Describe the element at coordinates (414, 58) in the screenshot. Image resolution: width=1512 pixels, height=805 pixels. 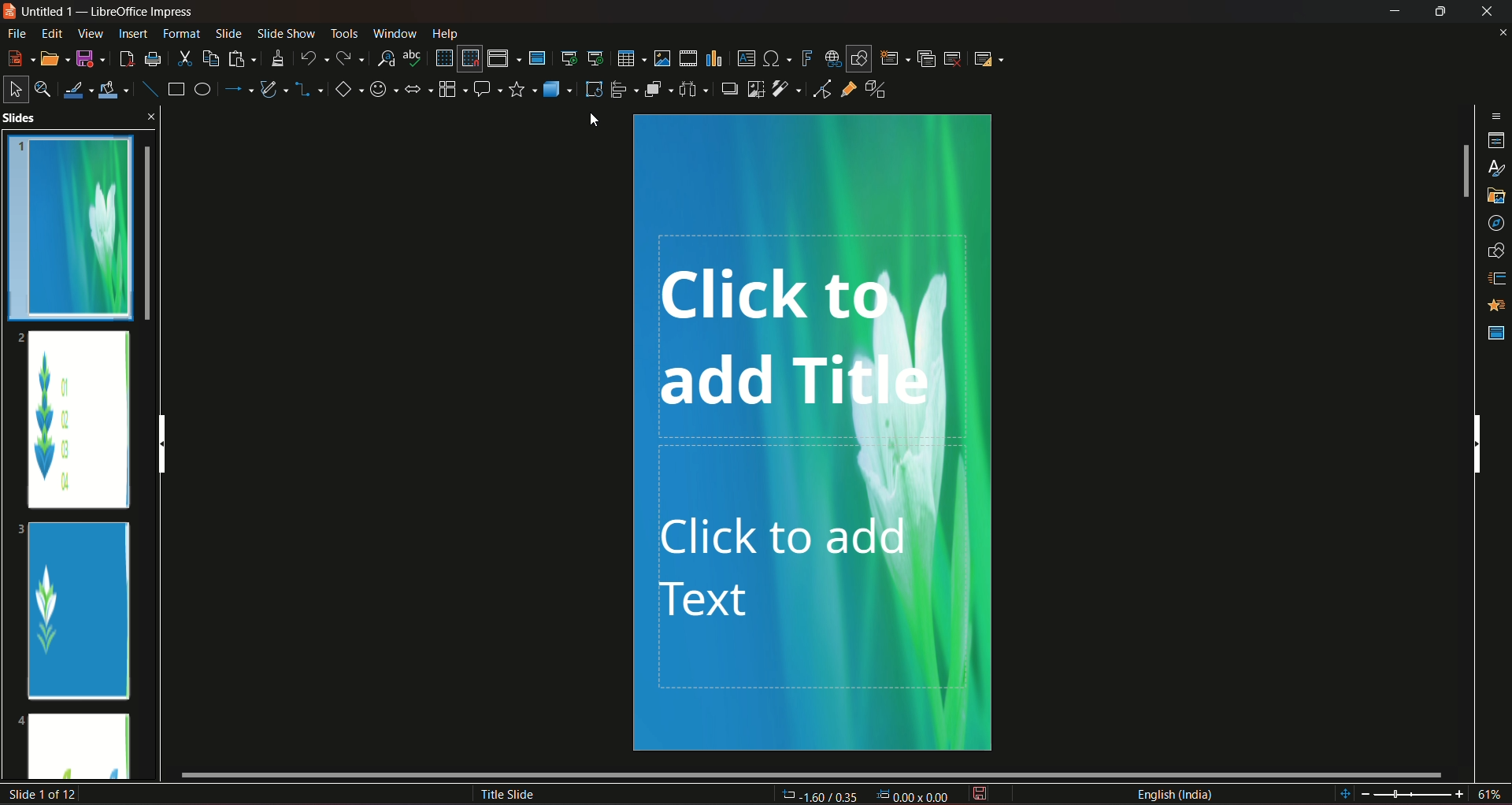
I see `spelling` at that location.